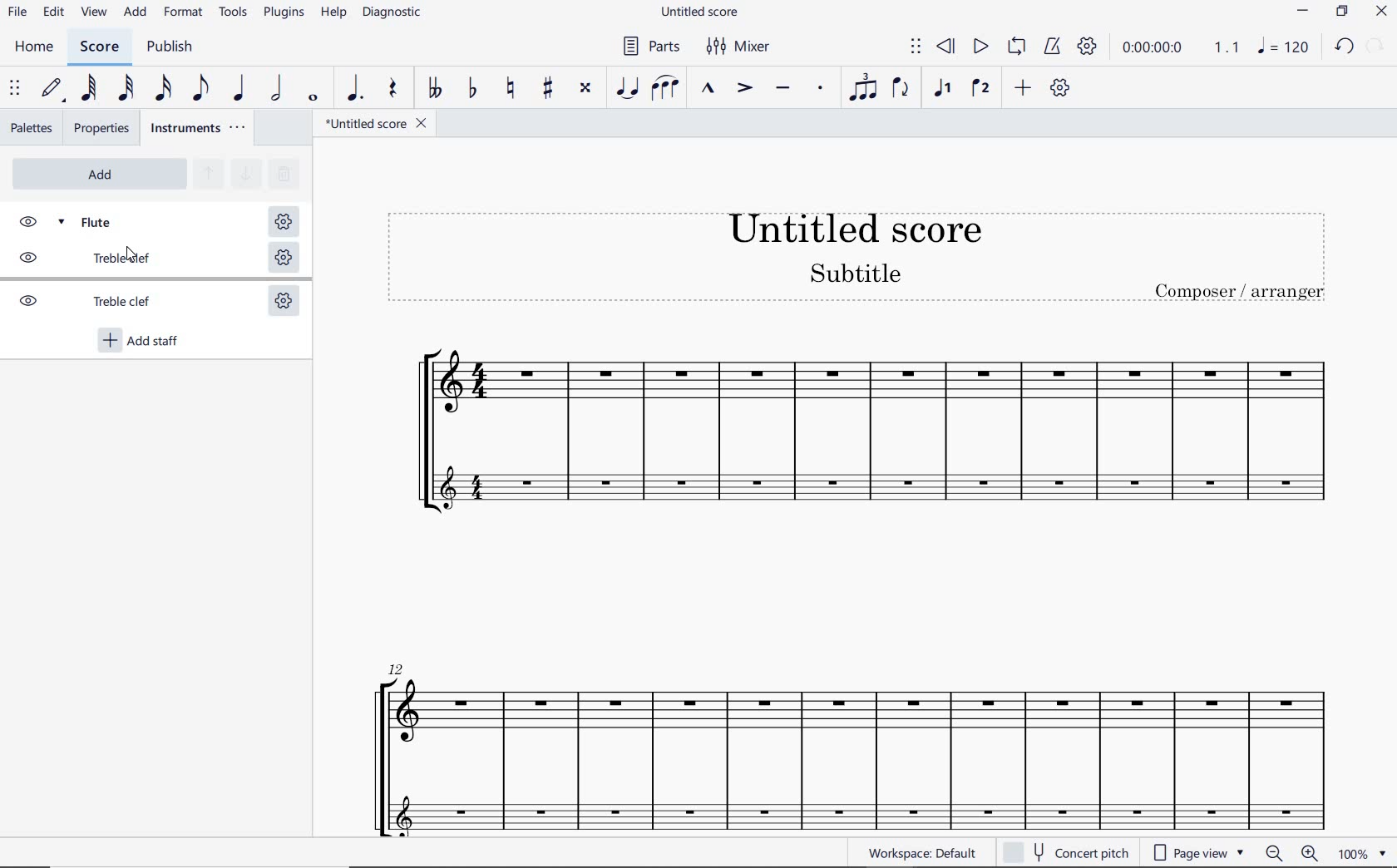 The height and width of the screenshot is (868, 1397). What do you see at coordinates (32, 130) in the screenshot?
I see `palettes` at bounding box center [32, 130].